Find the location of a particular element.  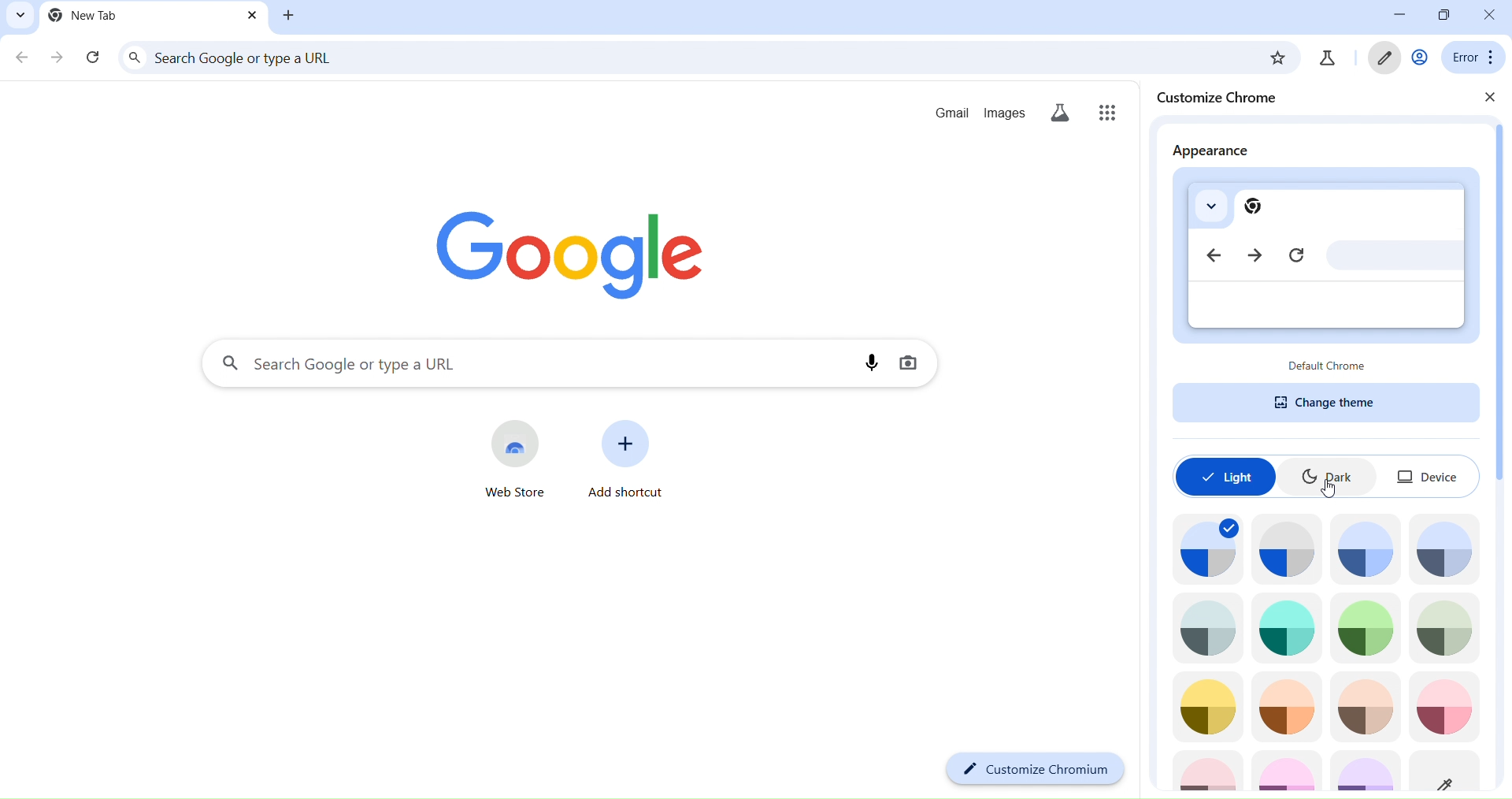

theme icon is located at coordinates (1287, 626).